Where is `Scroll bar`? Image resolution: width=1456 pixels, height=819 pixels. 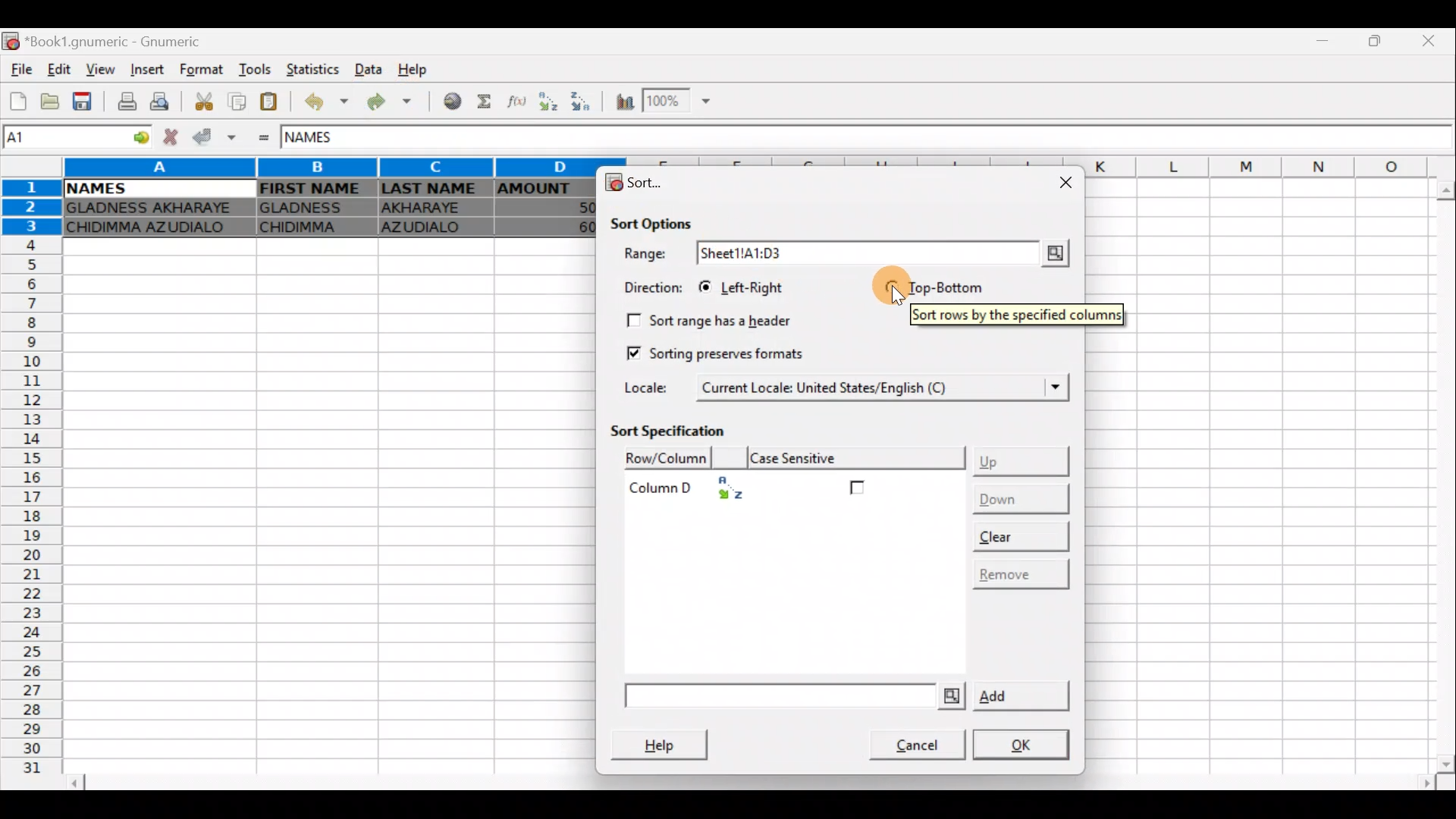
Scroll bar is located at coordinates (749, 787).